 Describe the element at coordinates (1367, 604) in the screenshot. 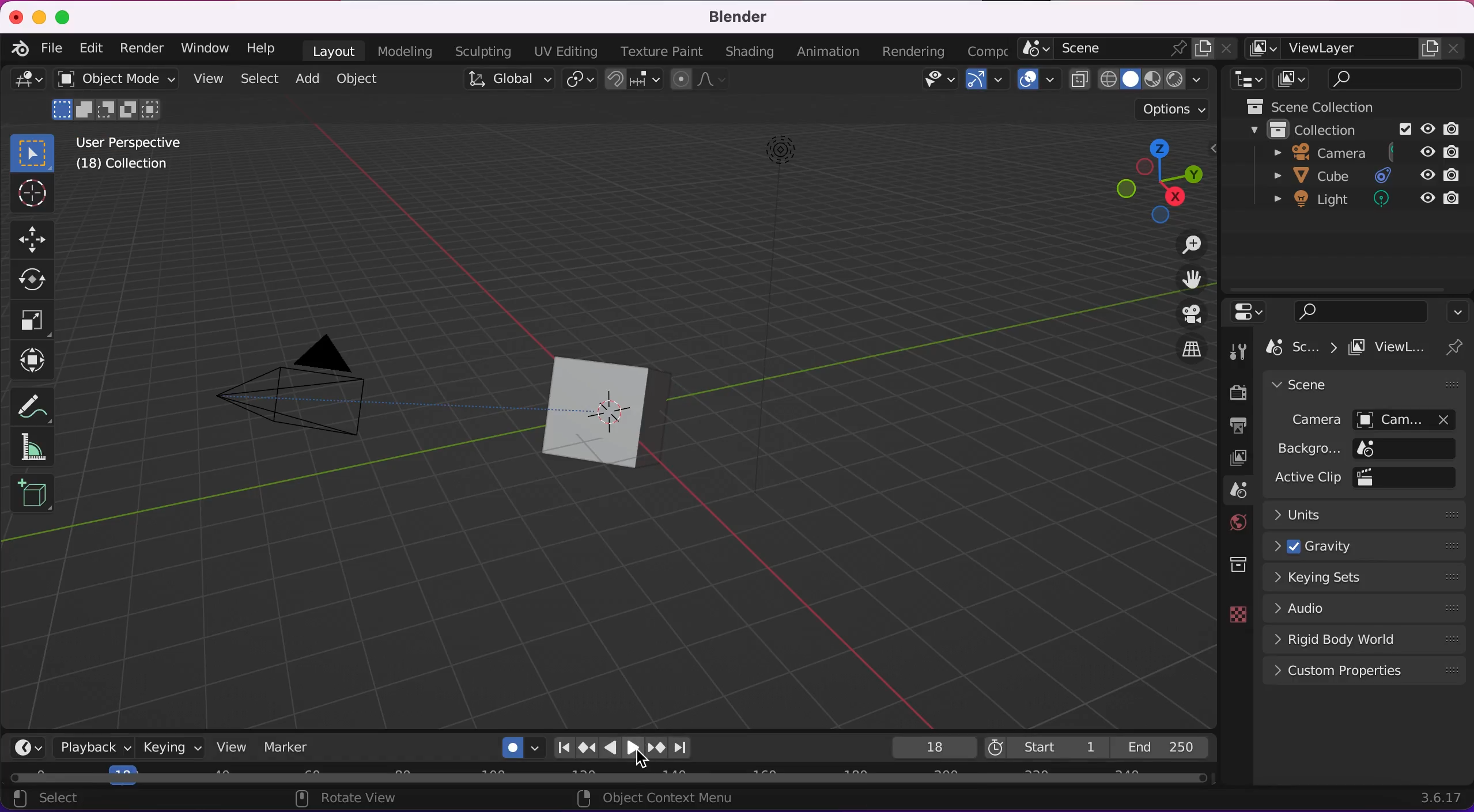

I see `audio` at that location.